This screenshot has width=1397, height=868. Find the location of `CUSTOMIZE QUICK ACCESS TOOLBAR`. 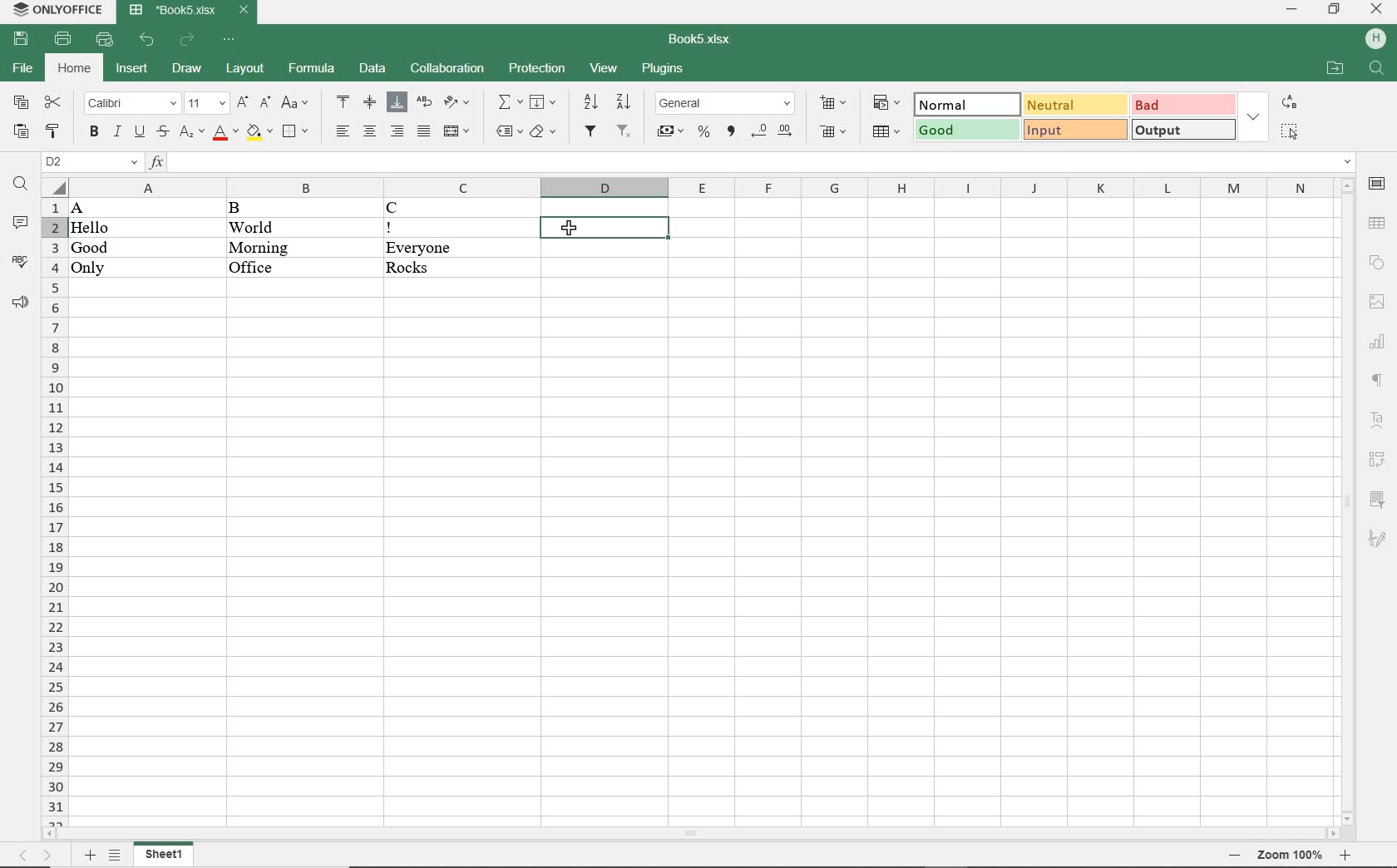

CUSTOMIZE QUICK ACCESS TOOLBAR is located at coordinates (230, 40).